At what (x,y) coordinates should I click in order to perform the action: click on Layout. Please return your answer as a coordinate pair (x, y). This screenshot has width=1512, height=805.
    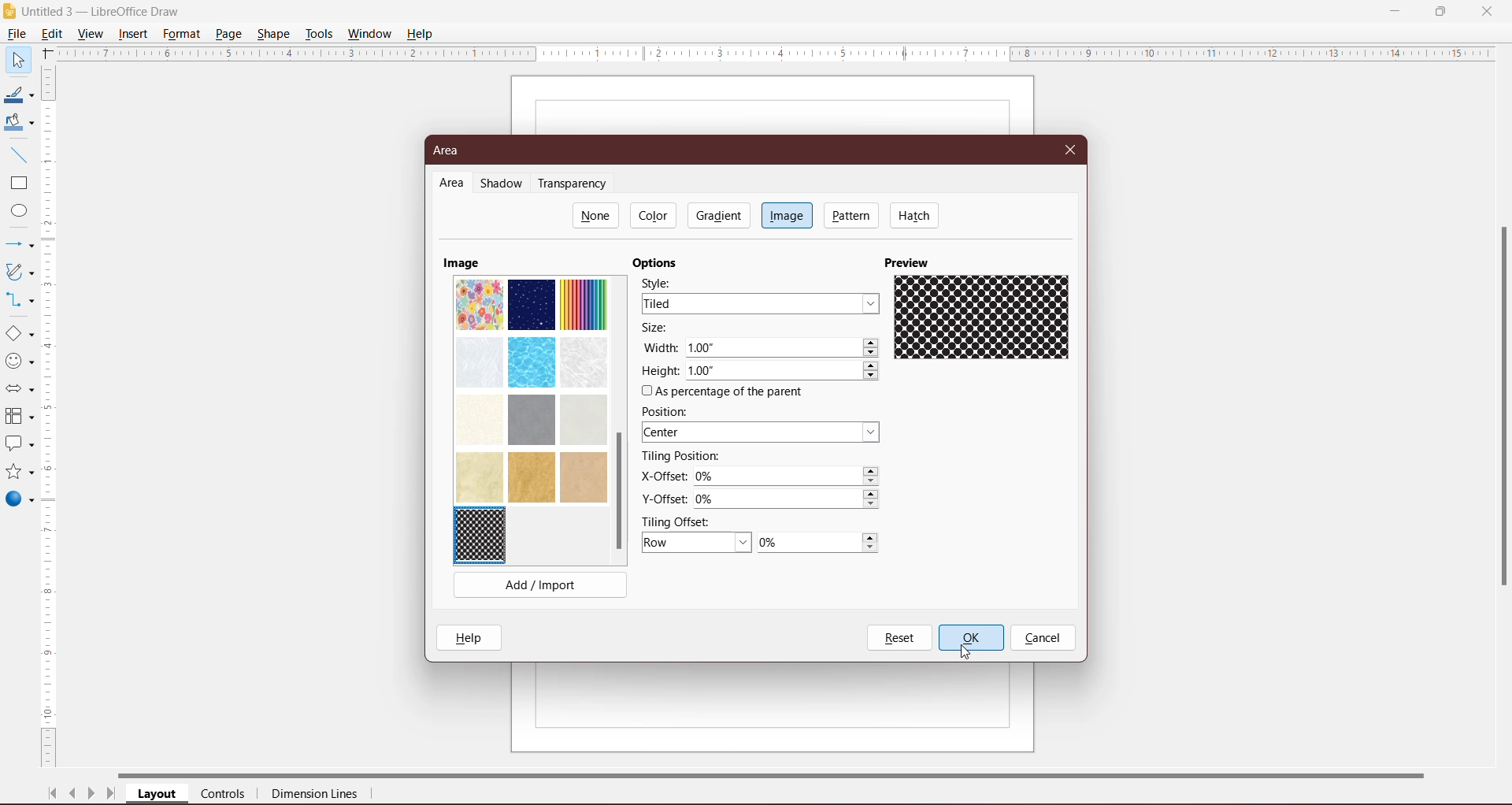
    Looking at the image, I should click on (158, 795).